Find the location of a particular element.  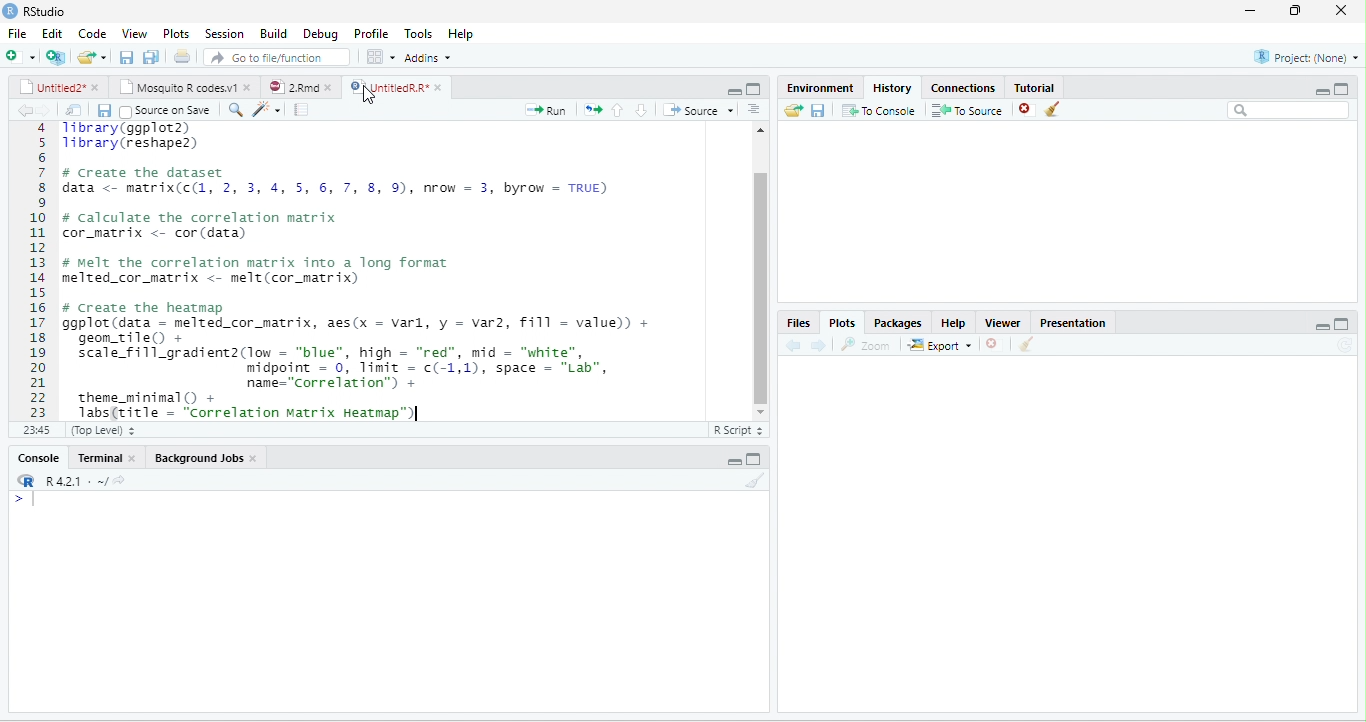

minimize is located at coordinates (1313, 89).